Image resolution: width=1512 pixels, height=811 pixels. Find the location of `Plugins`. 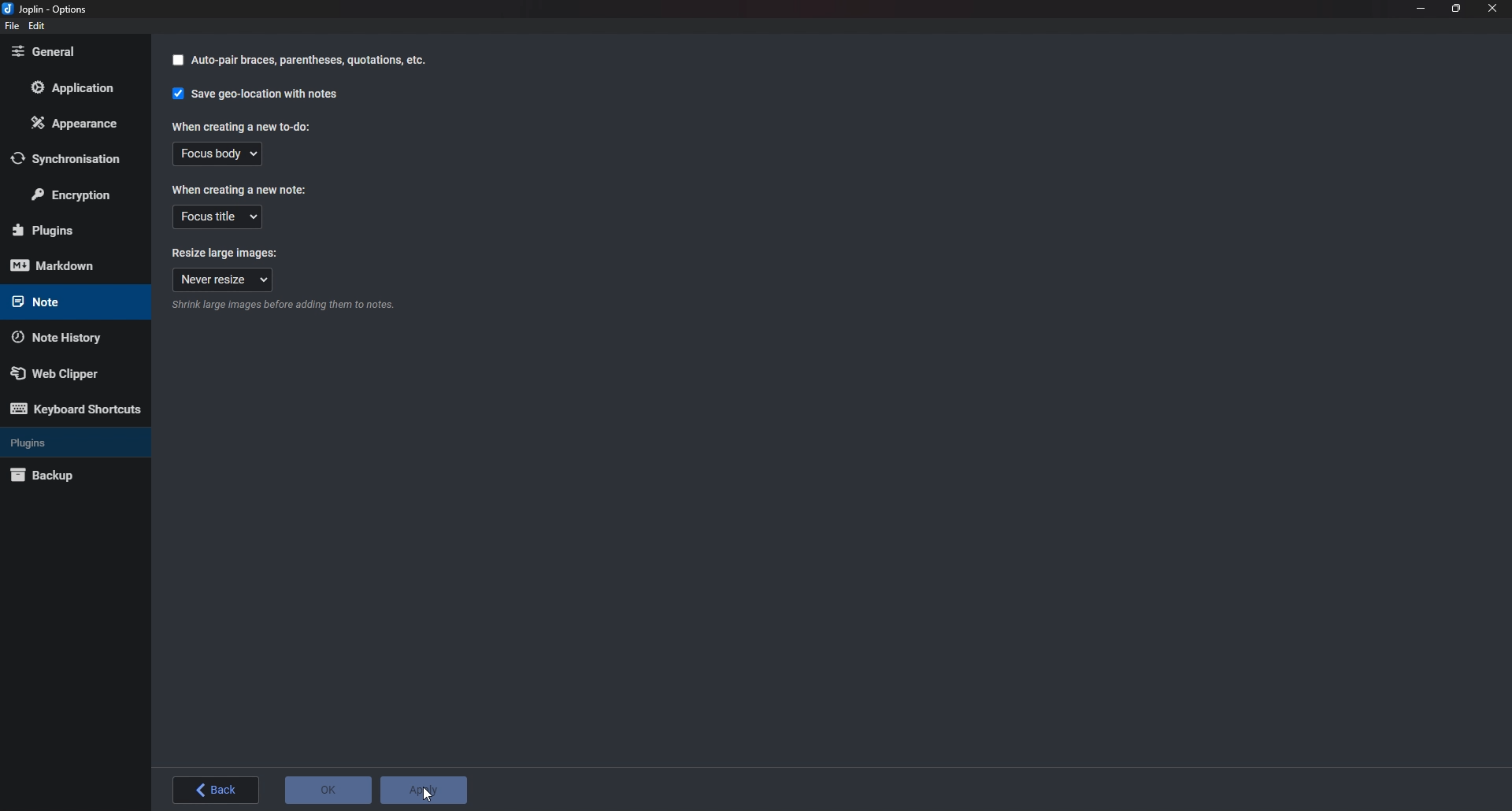

Plugins is located at coordinates (71, 444).